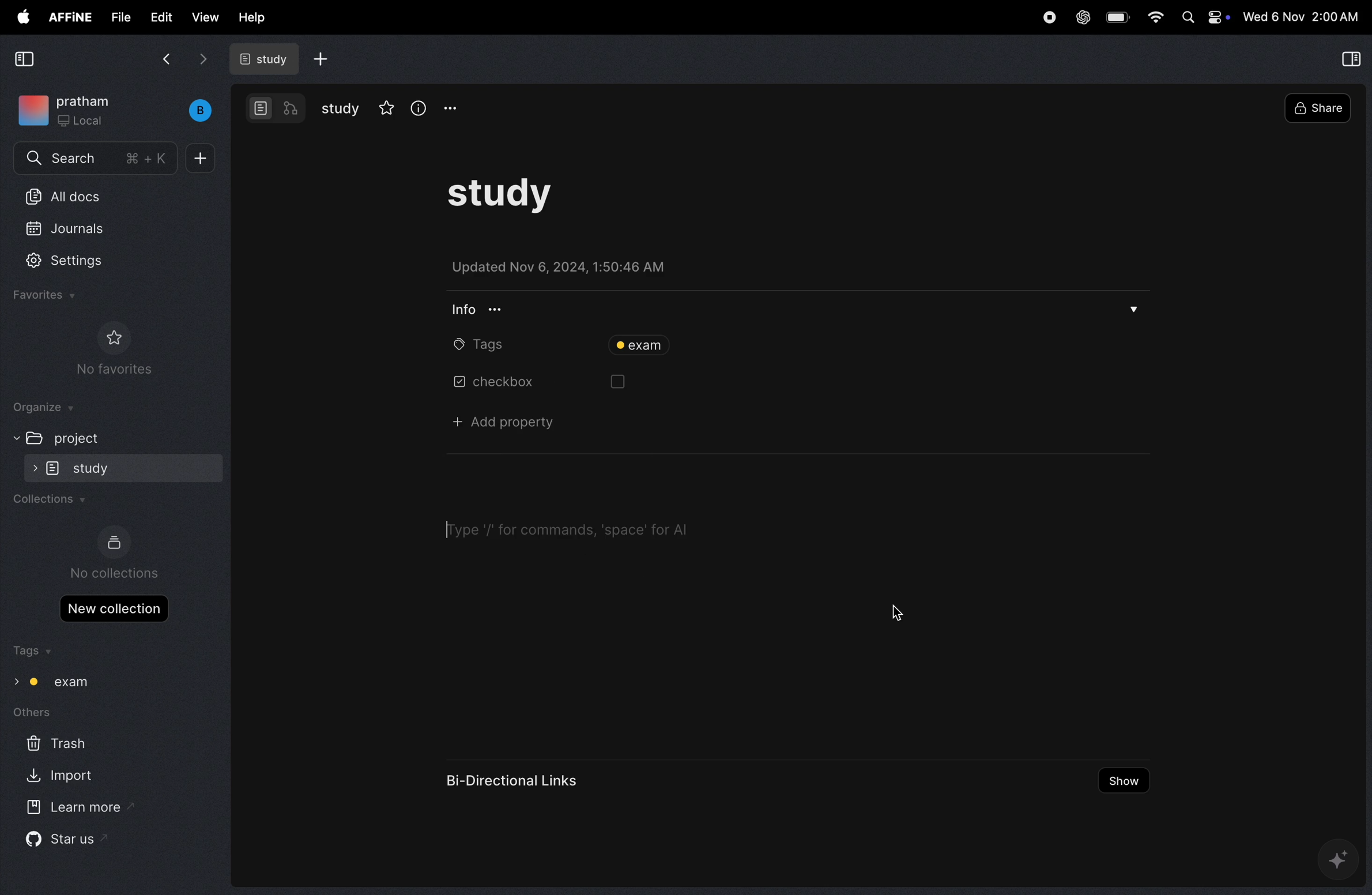 The height and width of the screenshot is (895, 1372). I want to click on task study, so click(503, 194).